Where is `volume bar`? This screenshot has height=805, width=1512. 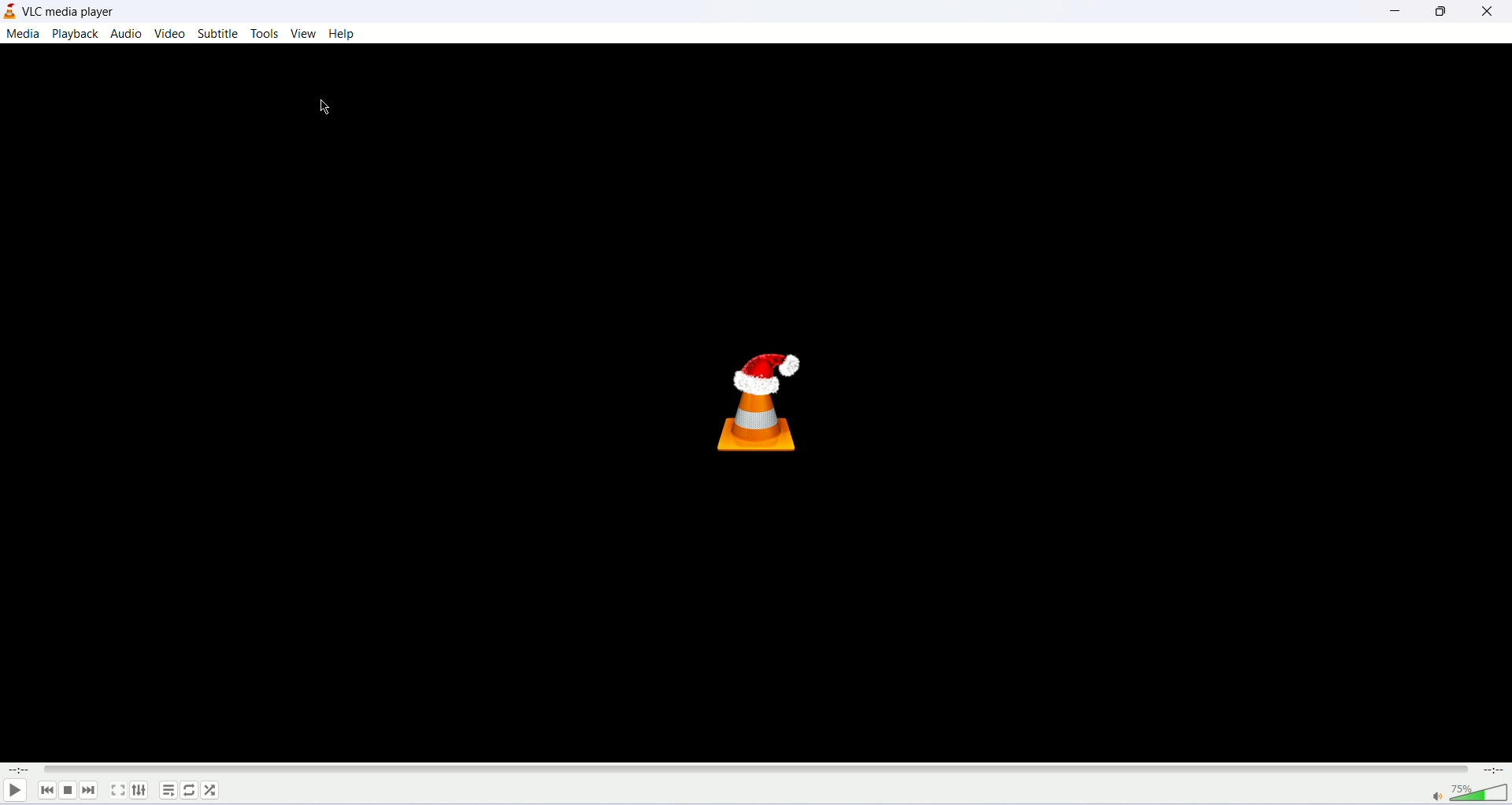 volume bar is located at coordinates (1468, 793).